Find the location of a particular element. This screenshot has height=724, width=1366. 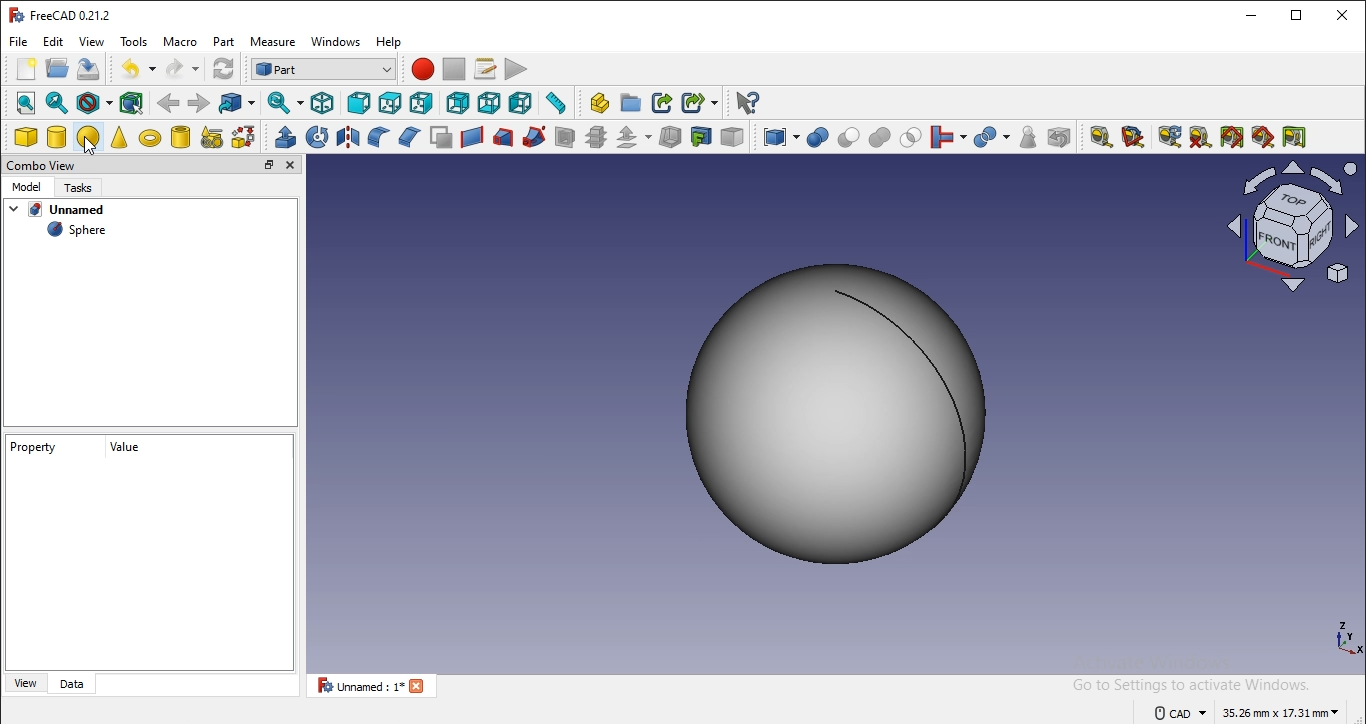

measure distance is located at coordinates (555, 102).